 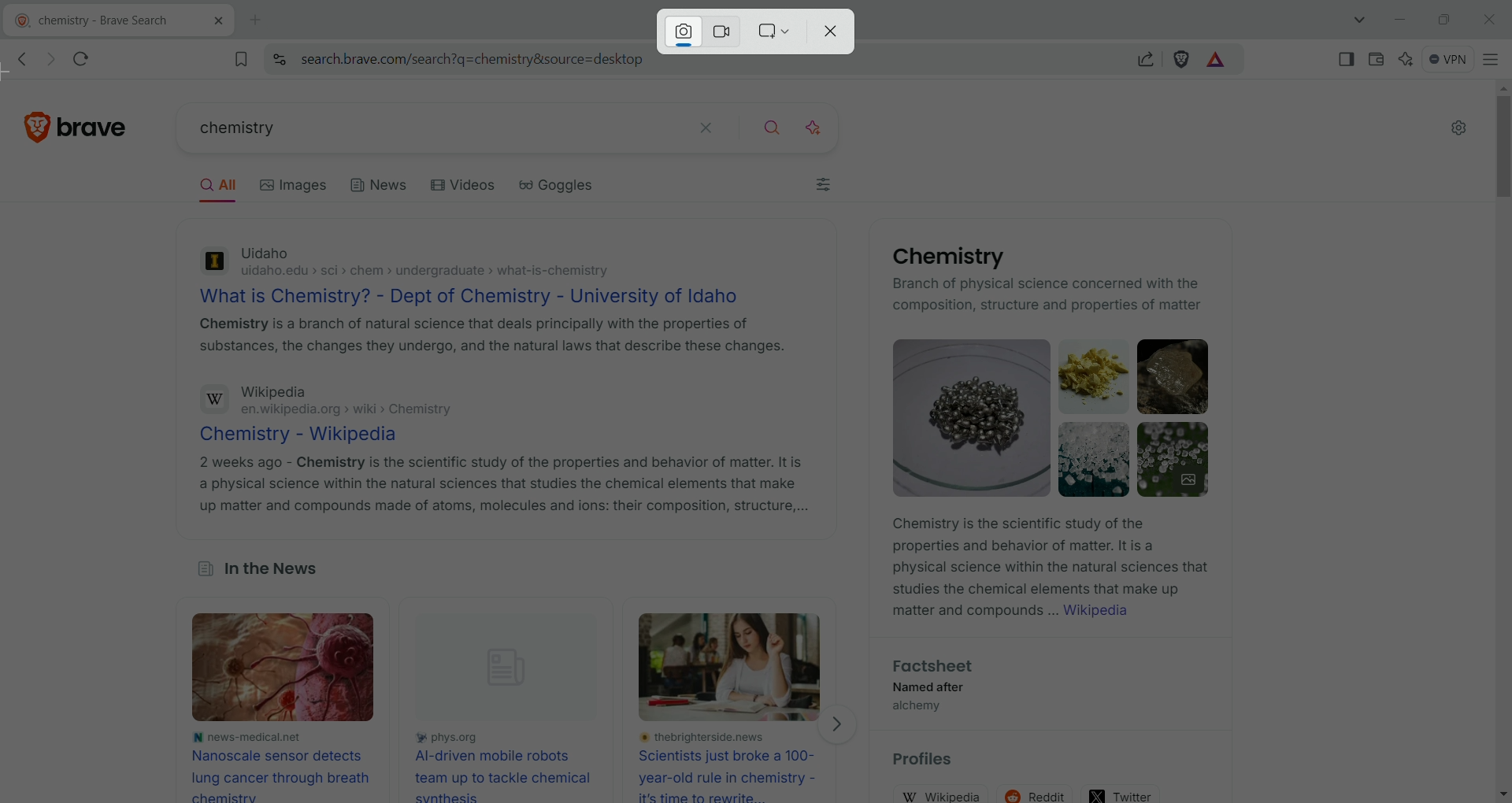 What do you see at coordinates (947, 794) in the screenshot?
I see `wikipedia` at bounding box center [947, 794].